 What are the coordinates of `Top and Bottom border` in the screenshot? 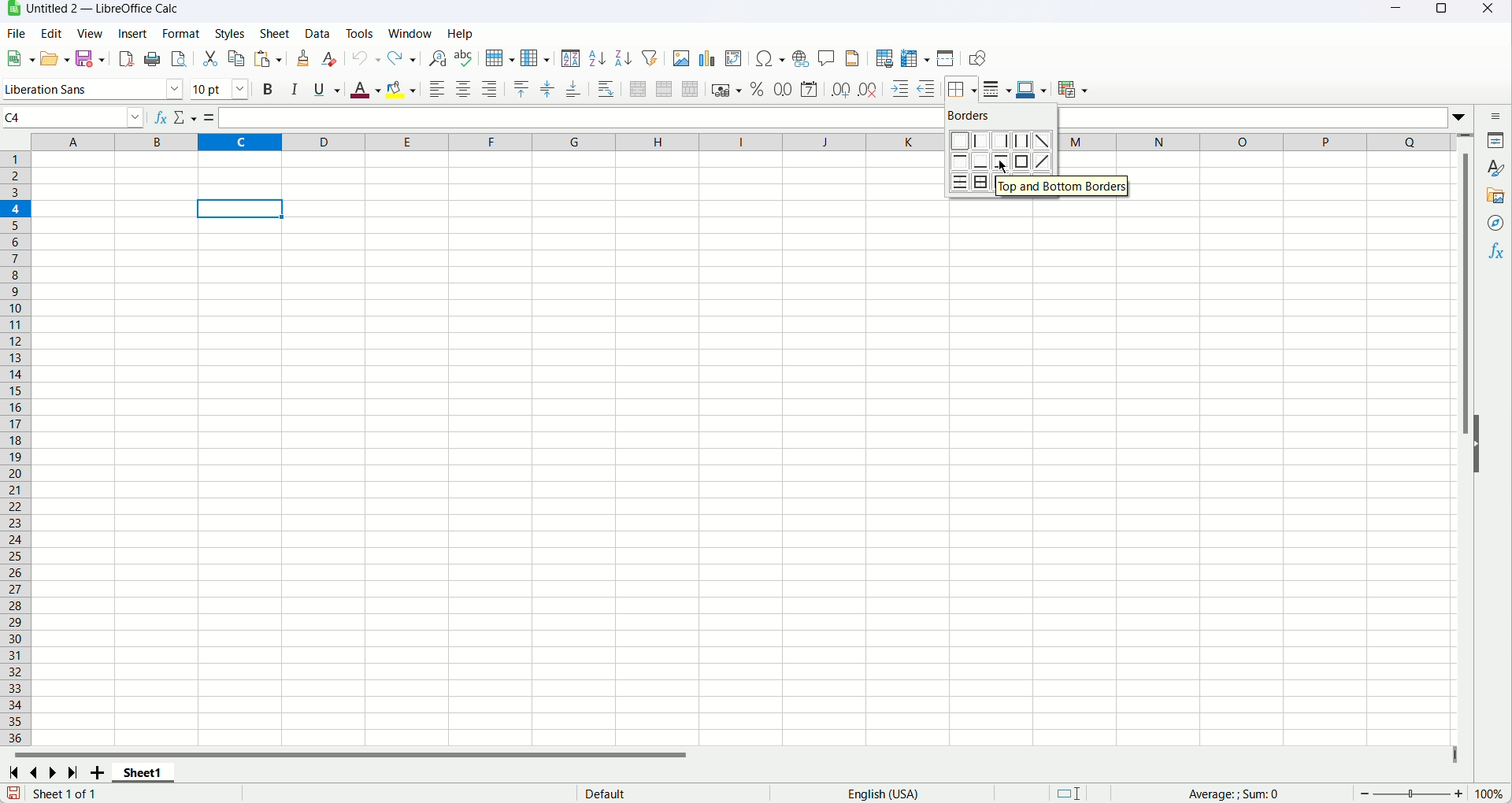 It's located at (1000, 162).